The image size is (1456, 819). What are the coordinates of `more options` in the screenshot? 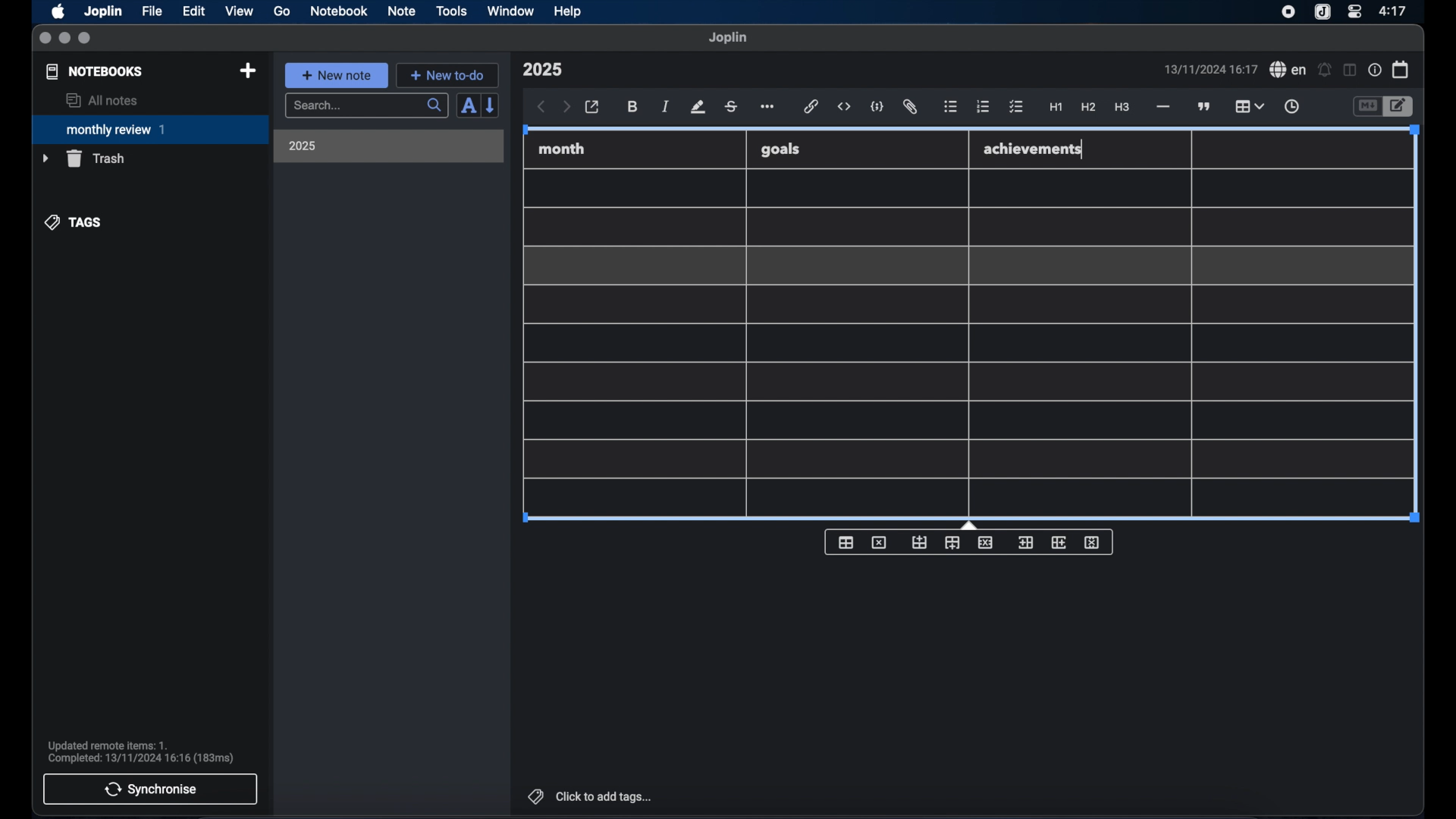 It's located at (769, 108).